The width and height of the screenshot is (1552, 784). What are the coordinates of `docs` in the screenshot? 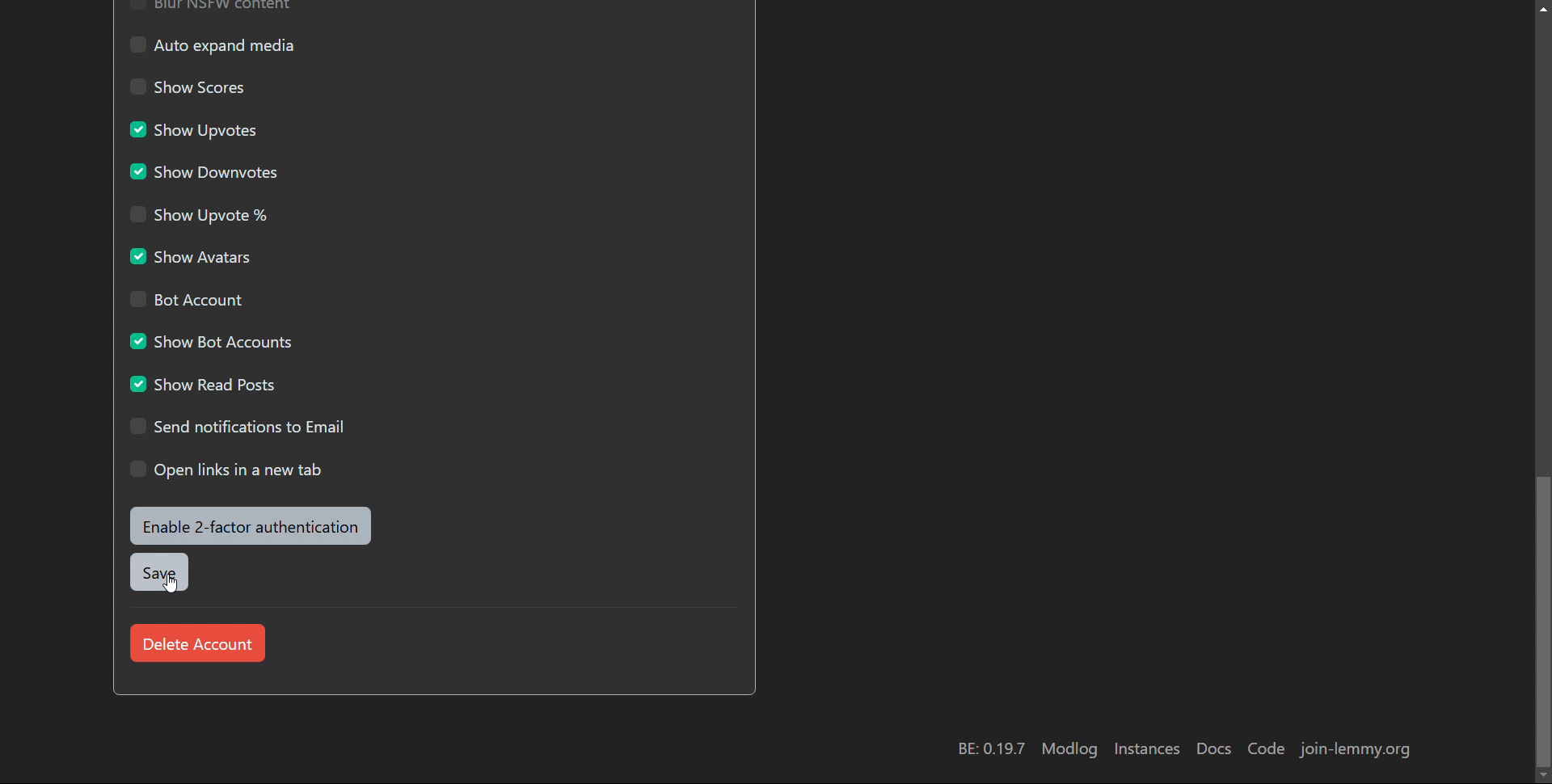 It's located at (1214, 748).